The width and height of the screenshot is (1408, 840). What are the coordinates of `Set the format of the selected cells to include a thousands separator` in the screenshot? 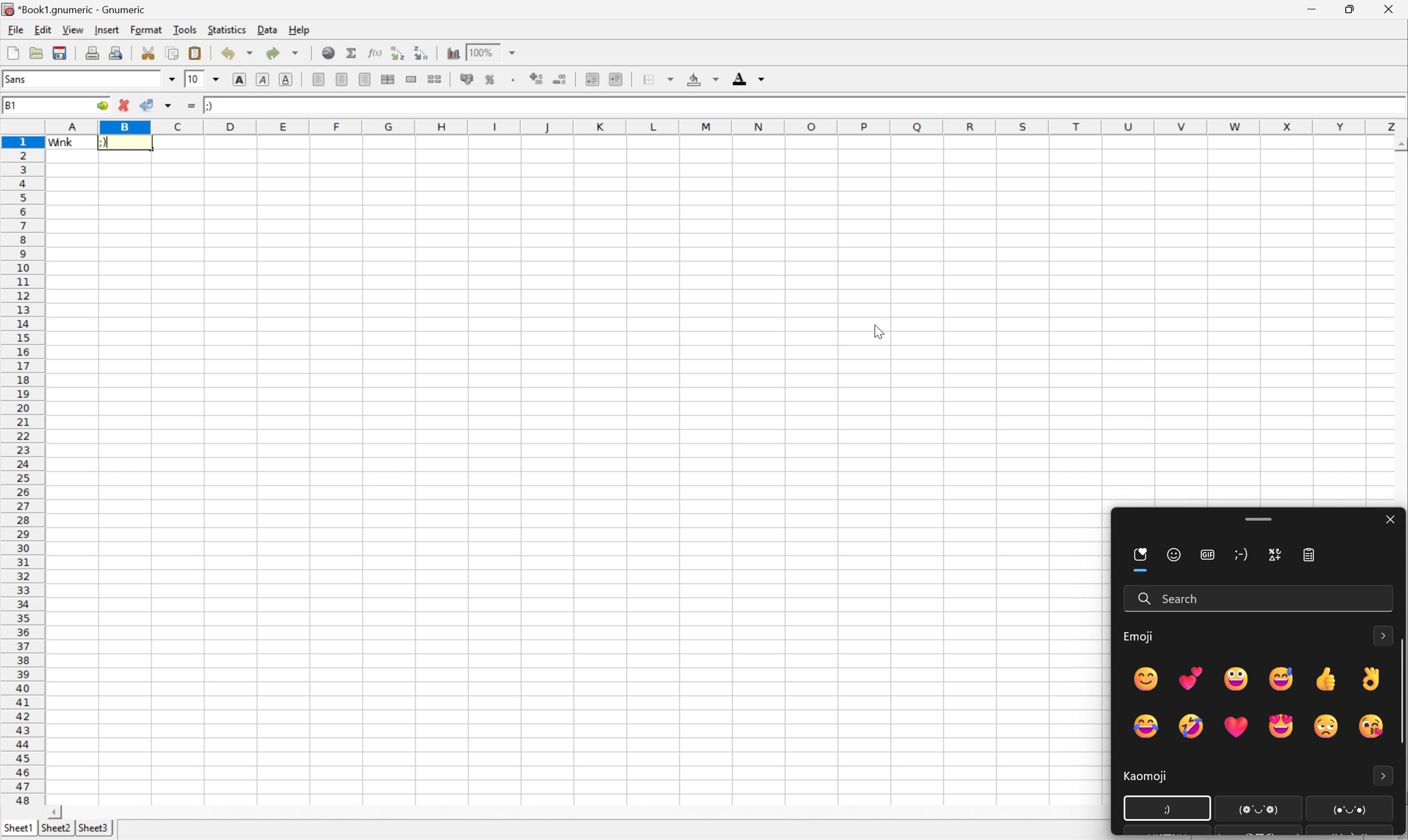 It's located at (513, 79).